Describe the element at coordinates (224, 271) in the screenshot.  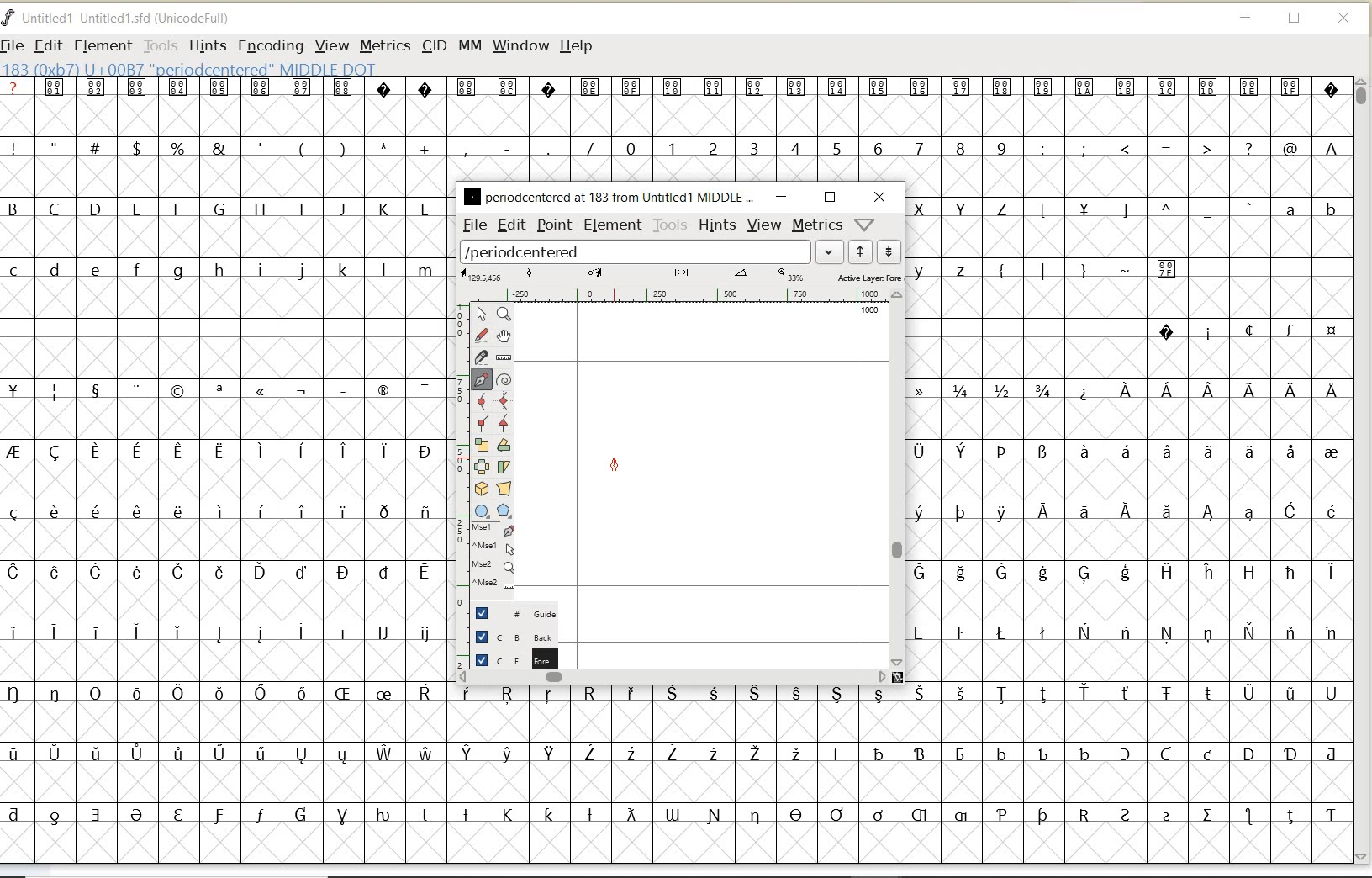
I see `lowercase letters` at that location.